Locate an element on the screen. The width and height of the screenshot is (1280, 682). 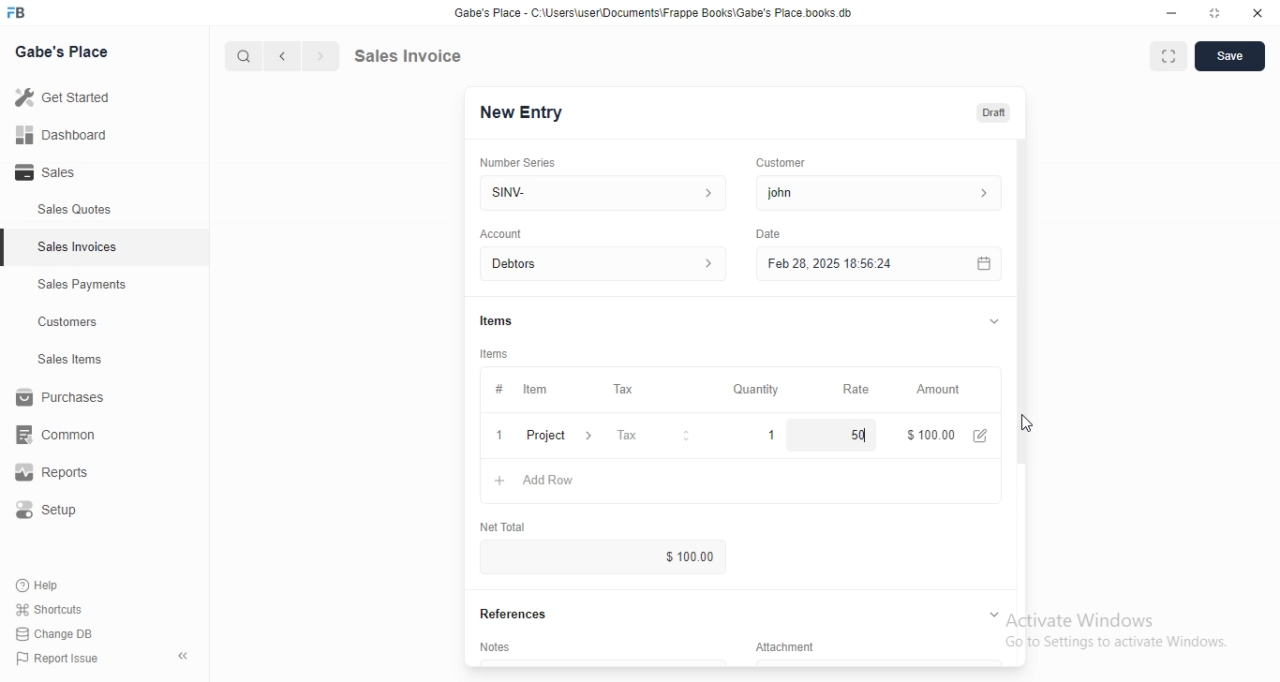
Getstared is located at coordinates (68, 99).